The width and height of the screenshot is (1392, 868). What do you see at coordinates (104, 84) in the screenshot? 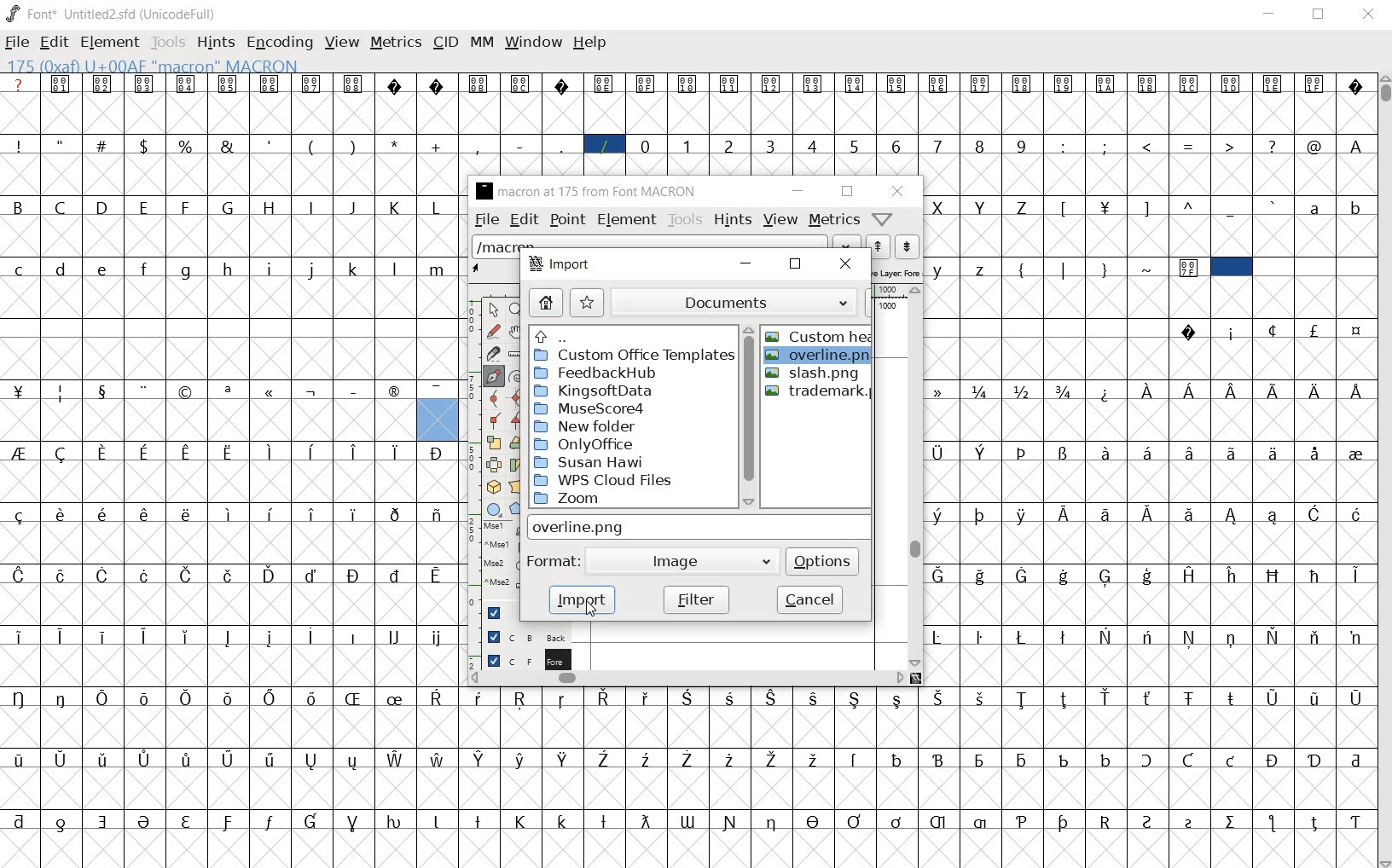
I see `Symbol` at bounding box center [104, 84].